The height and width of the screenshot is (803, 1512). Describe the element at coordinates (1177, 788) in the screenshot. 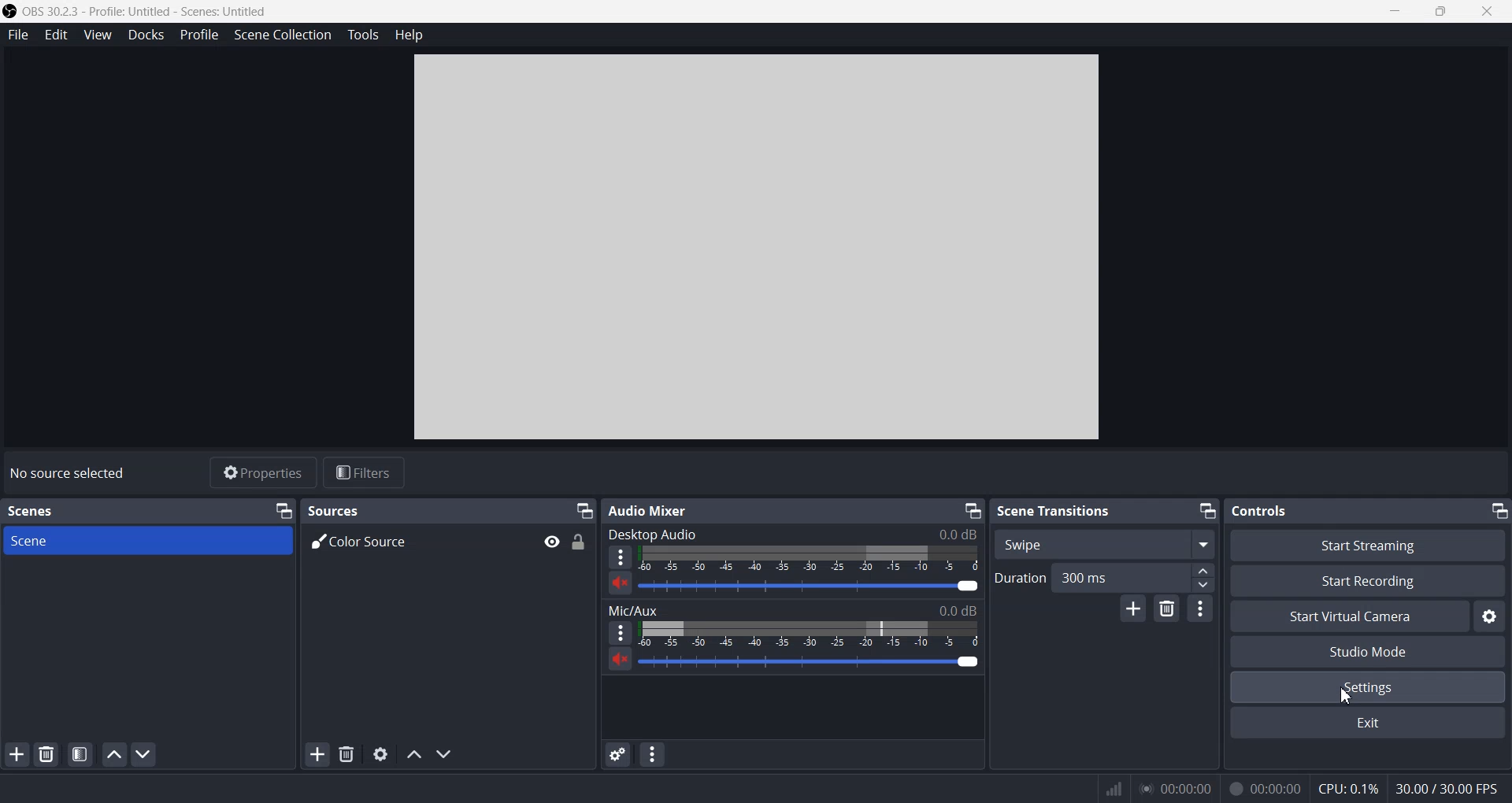

I see `play time` at that location.